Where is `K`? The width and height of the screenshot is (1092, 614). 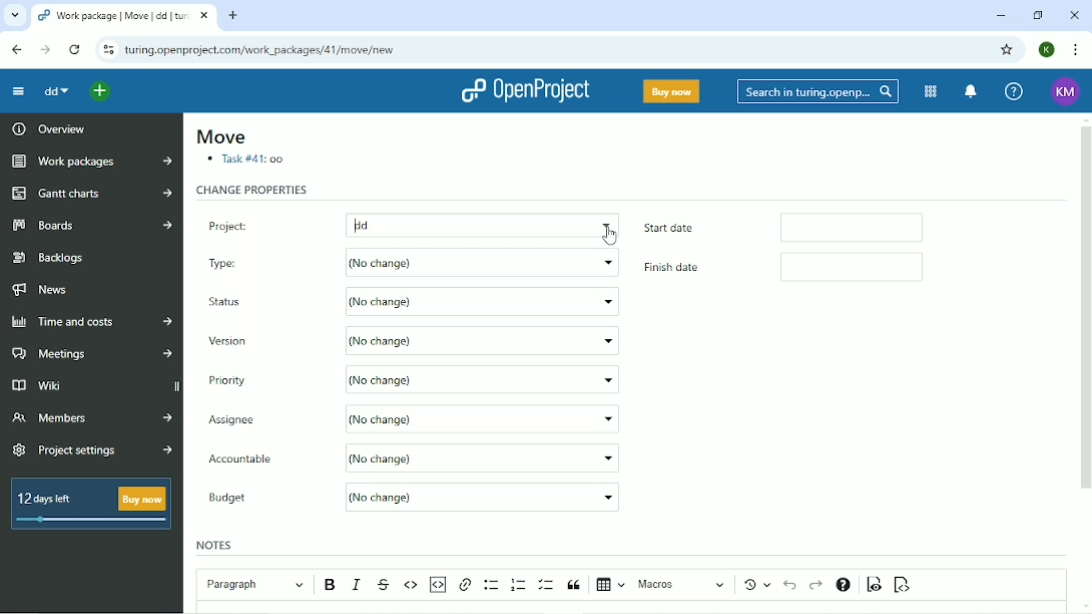
K is located at coordinates (1048, 49).